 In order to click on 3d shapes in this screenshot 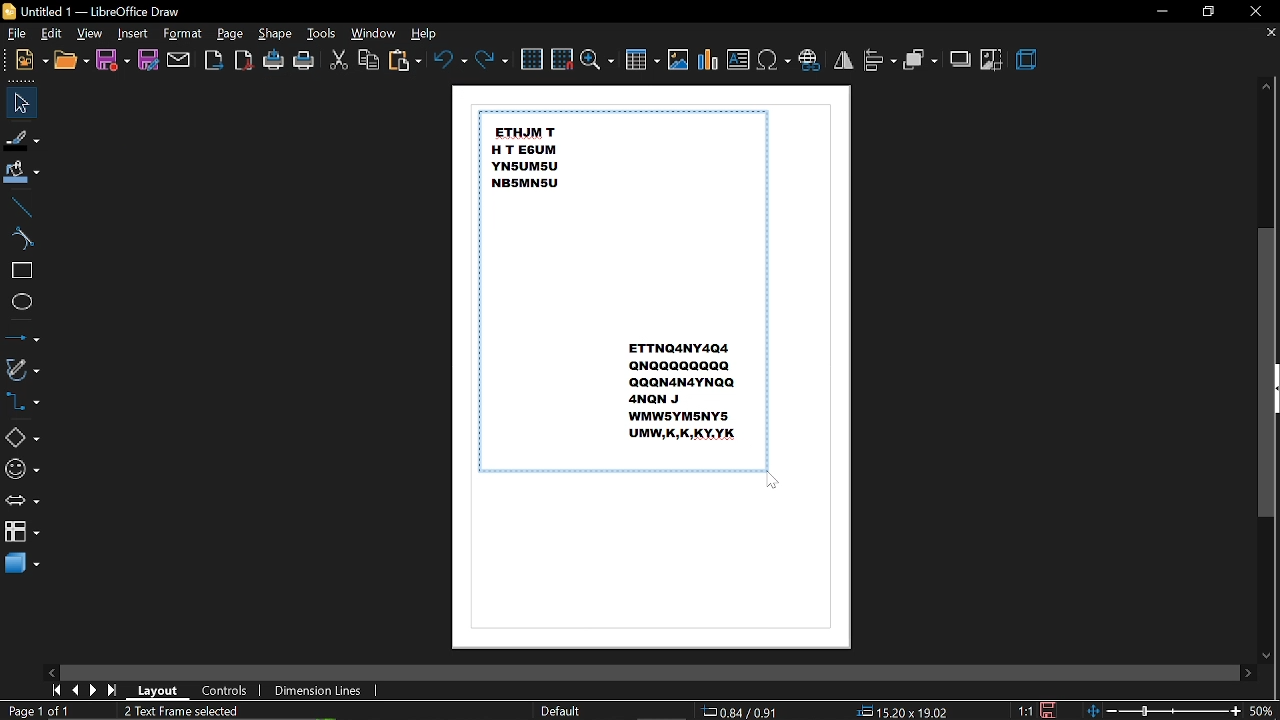, I will do `click(22, 565)`.